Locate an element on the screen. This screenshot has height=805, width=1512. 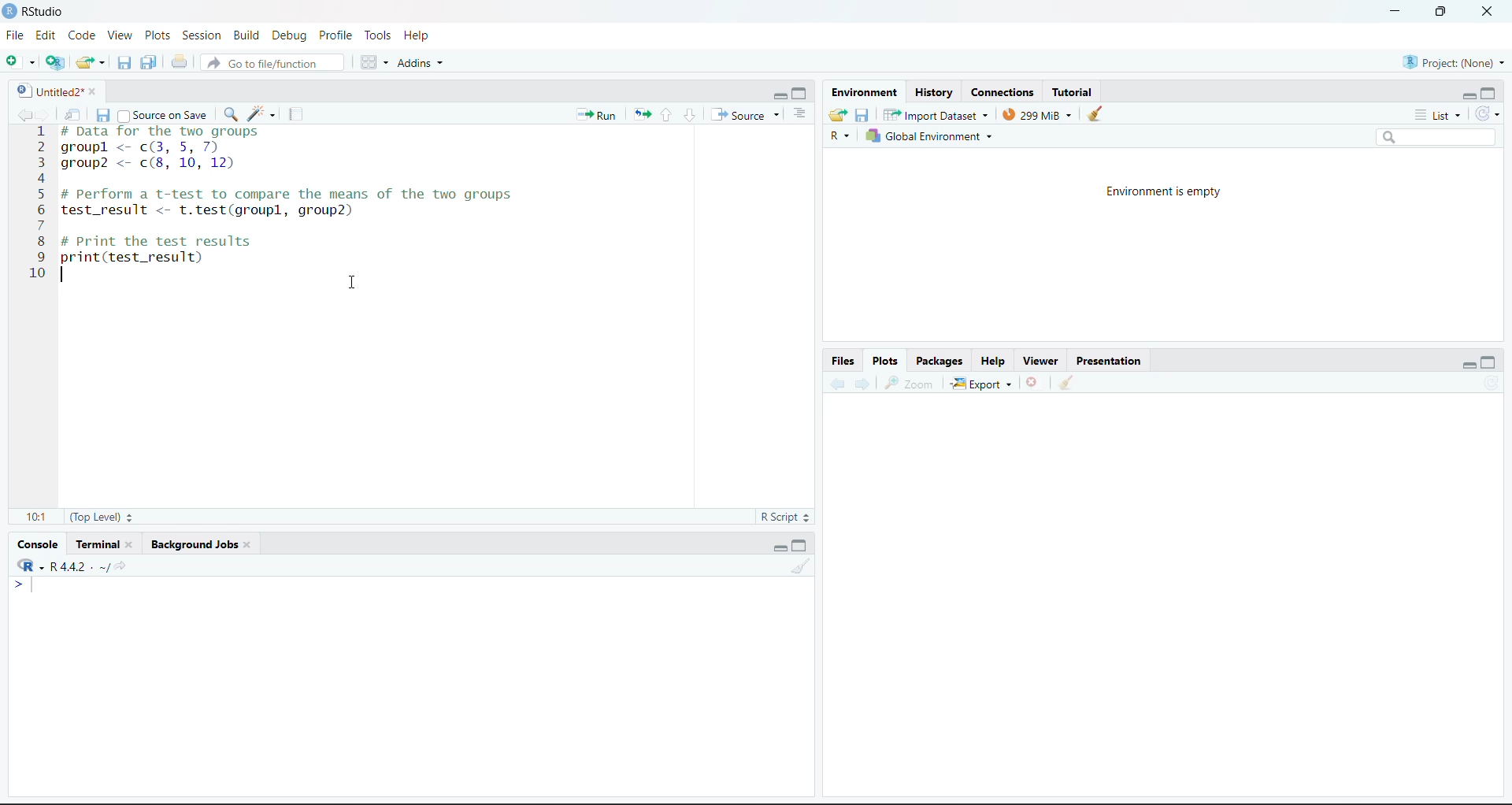
Tools is located at coordinates (382, 35).